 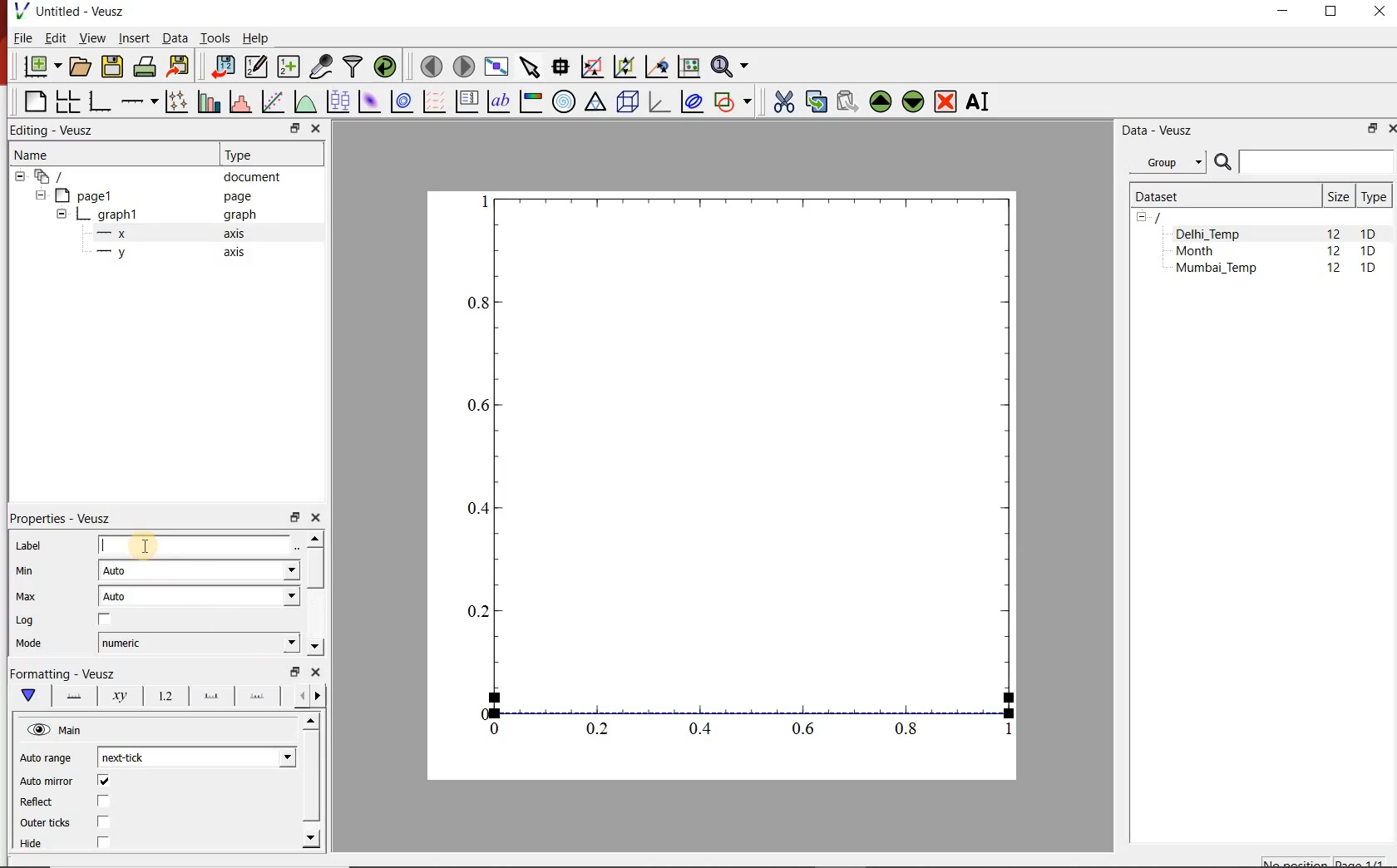 I want to click on Min, so click(x=23, y=571).